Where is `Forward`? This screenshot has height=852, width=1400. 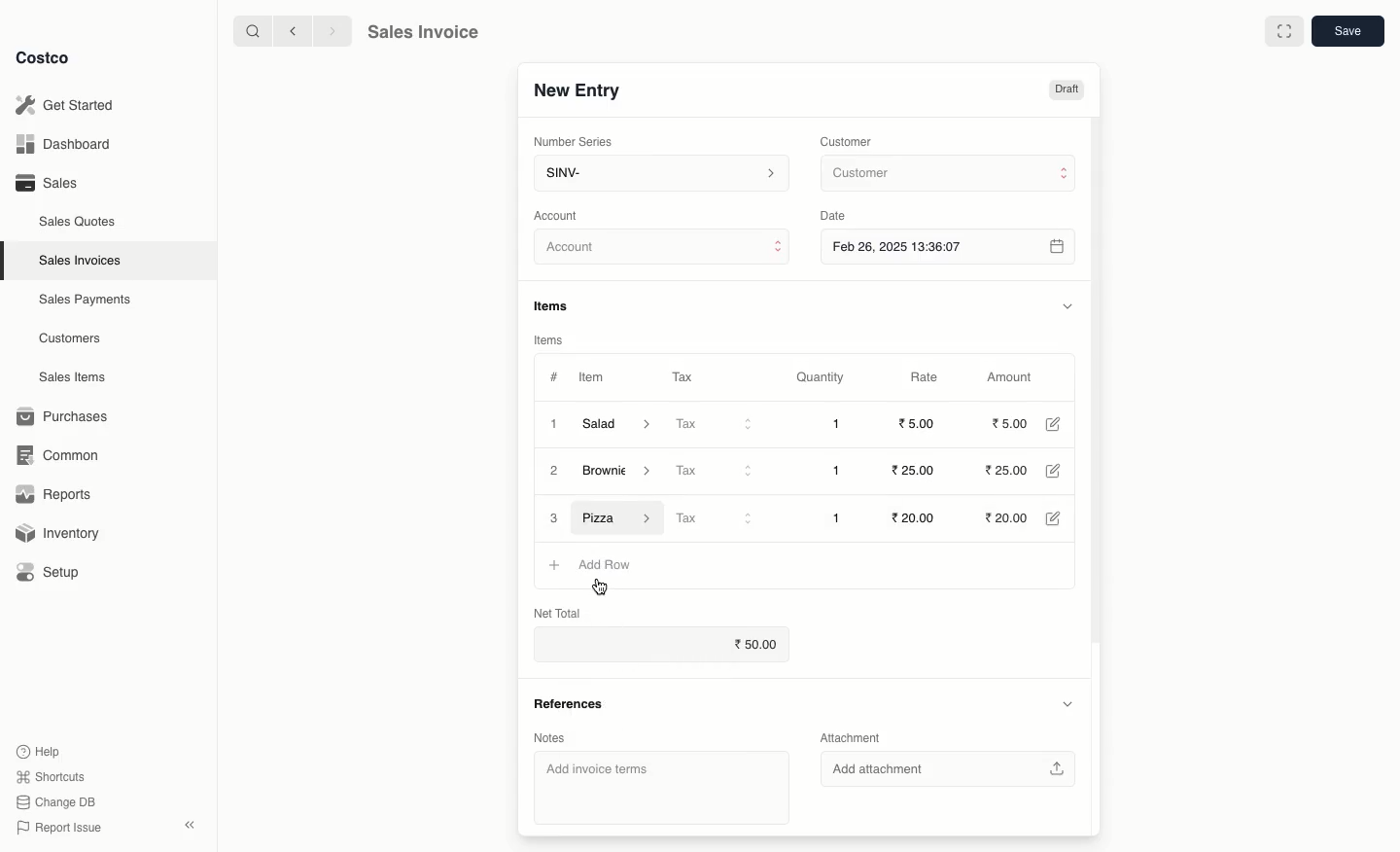 Forward is located at coordinates (332, 32).